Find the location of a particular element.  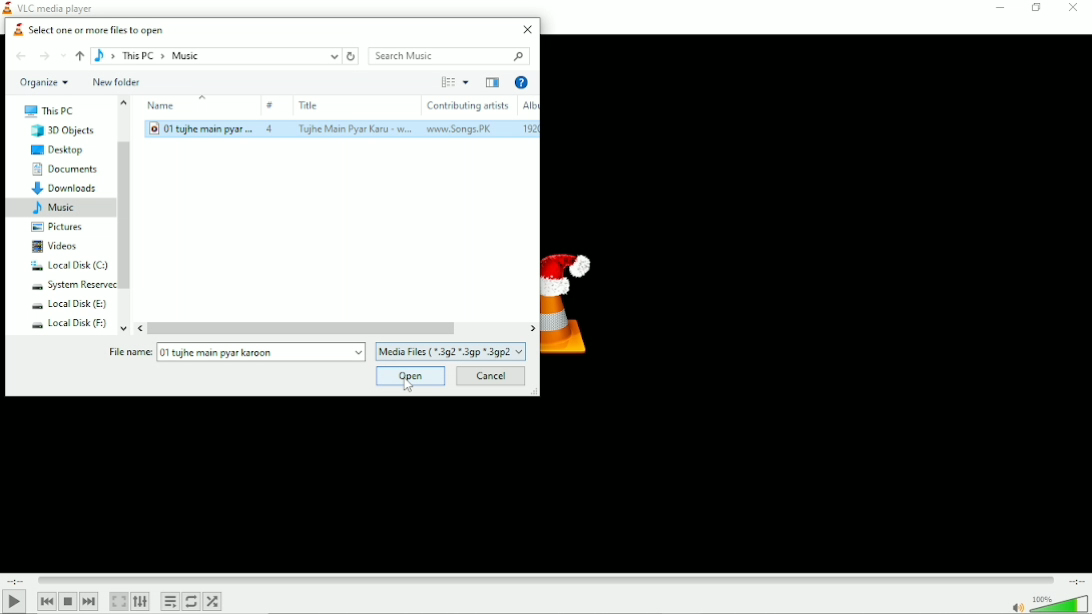

Local Disk (C:) is located at coordinates (67, 266).